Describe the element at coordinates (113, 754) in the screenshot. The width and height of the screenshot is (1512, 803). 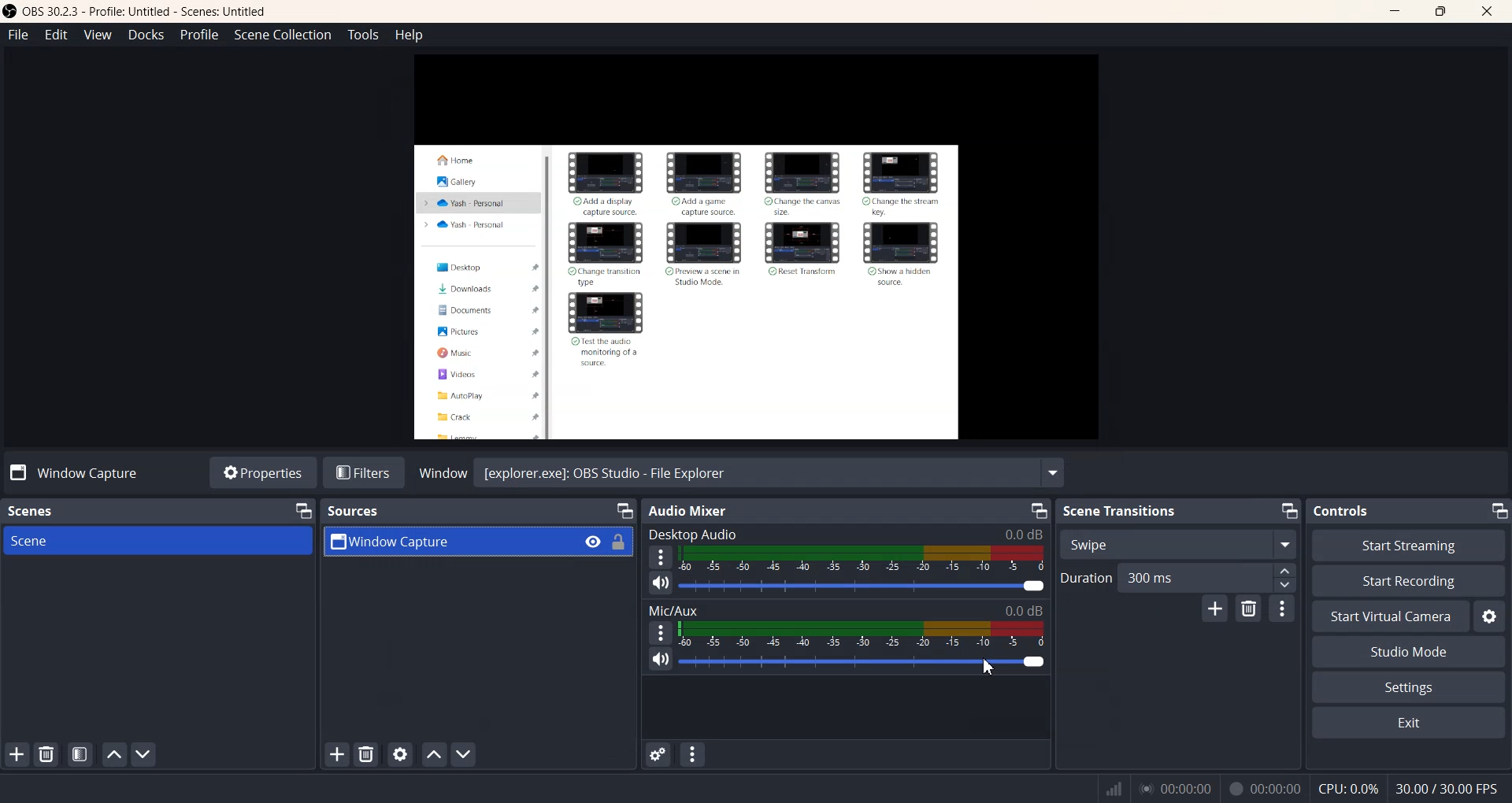
I see `Move scene Up` at that location.